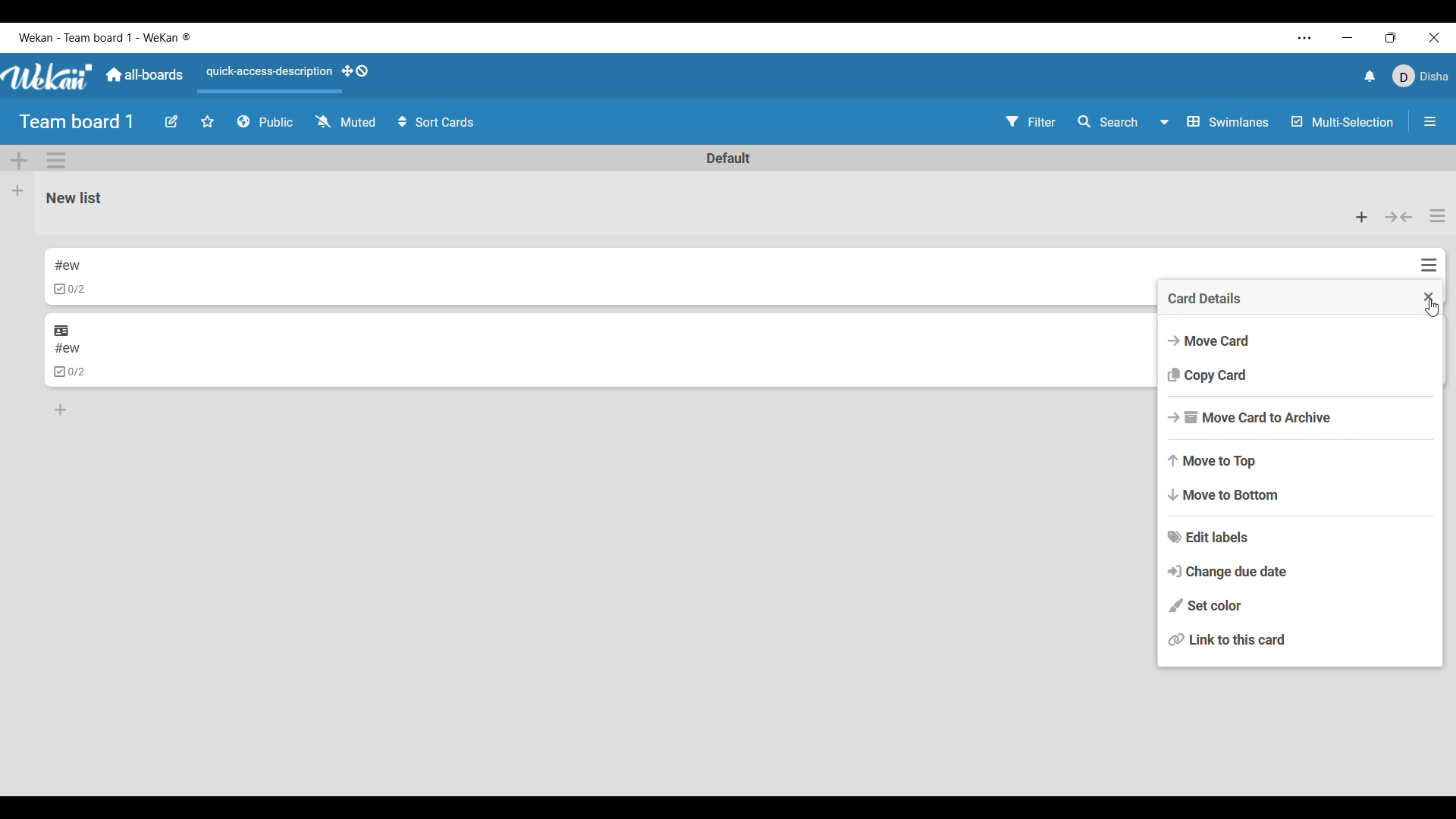 Image resolution: width=1456 pixels, height=819 pixels. I want to click on Add Swimlane, so click(20, 161).